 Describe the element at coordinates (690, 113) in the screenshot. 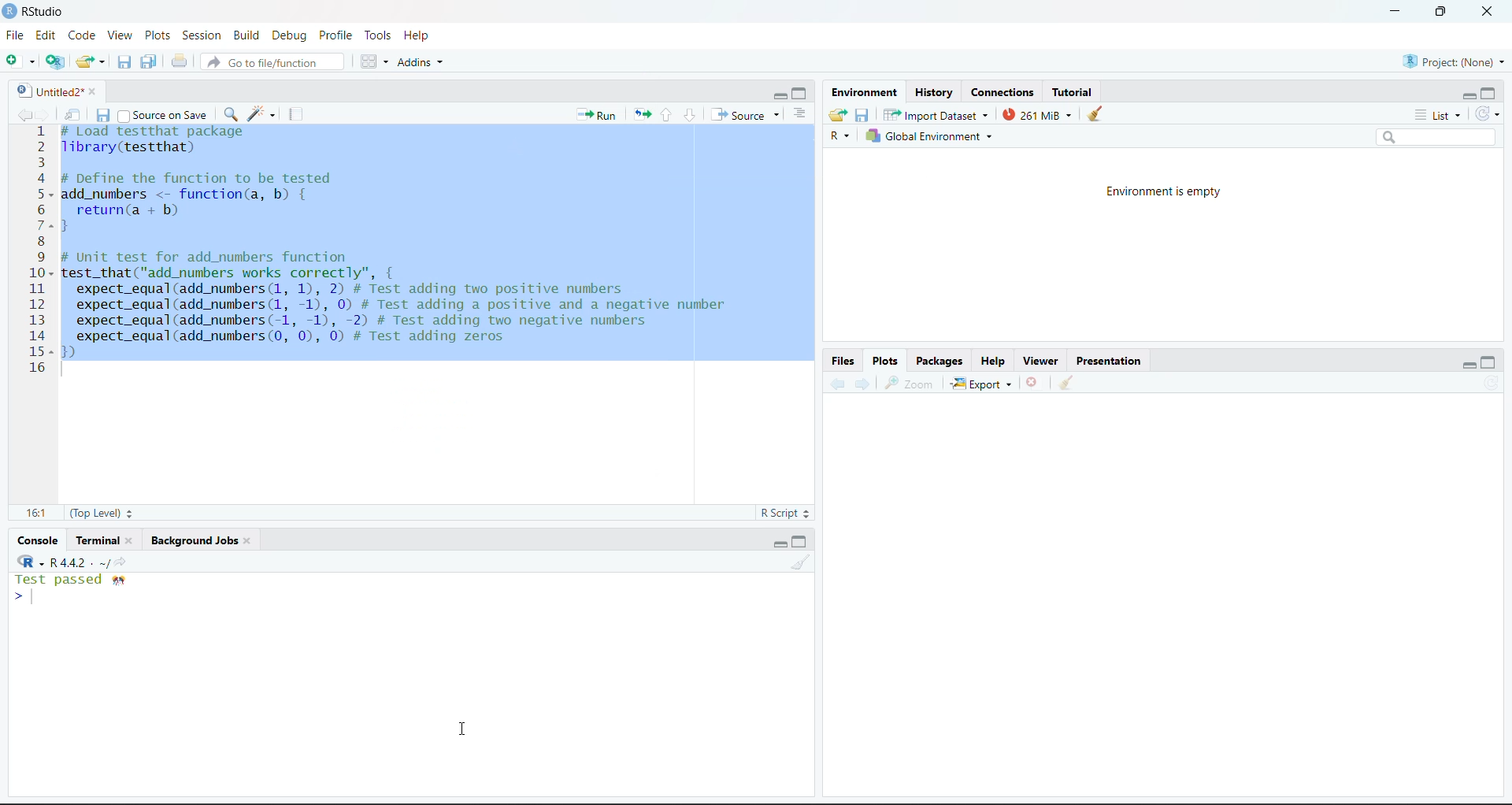

I see `go to next section` at that location.